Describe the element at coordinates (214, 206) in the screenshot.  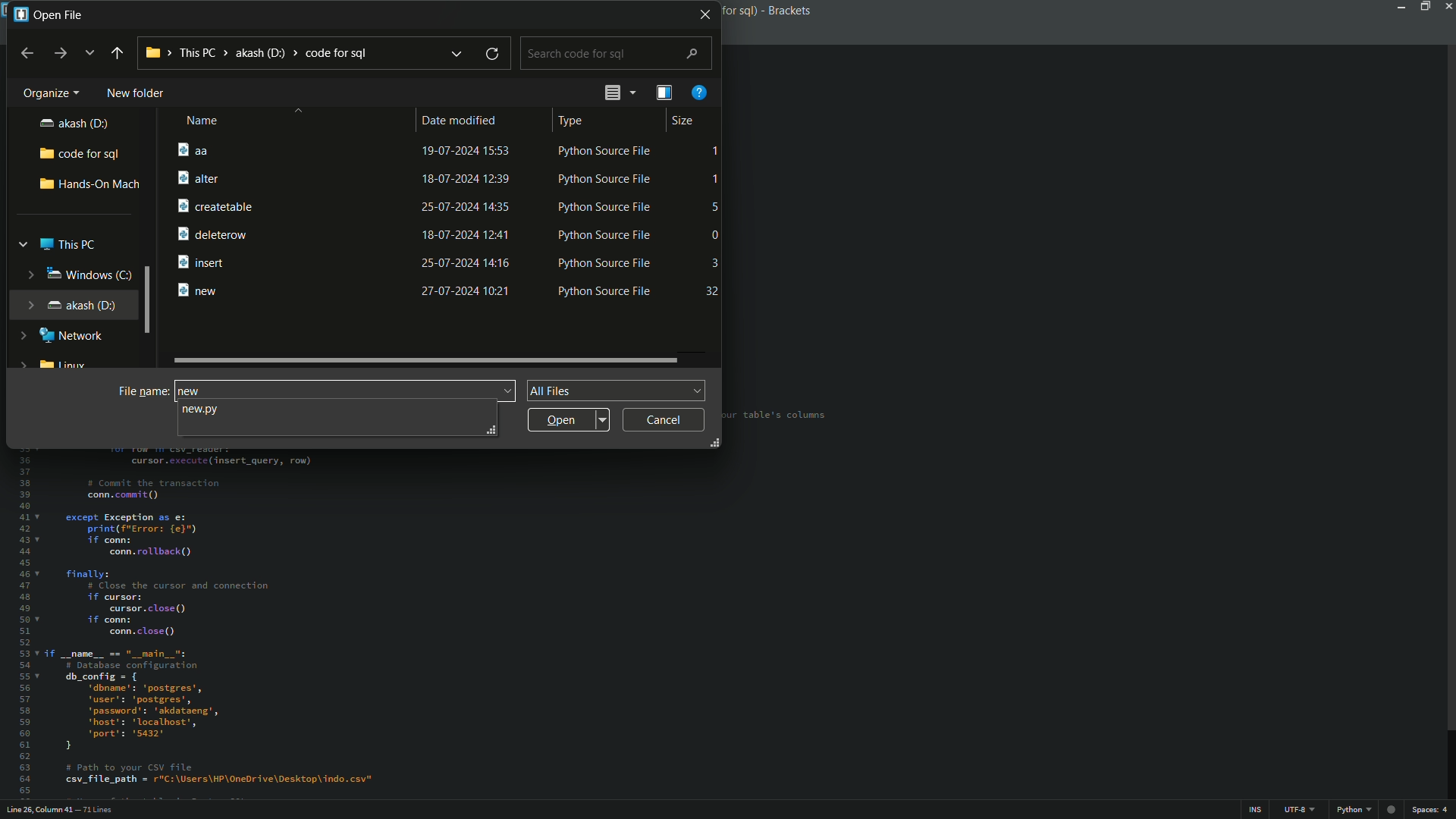
I see `createtable` at that location.